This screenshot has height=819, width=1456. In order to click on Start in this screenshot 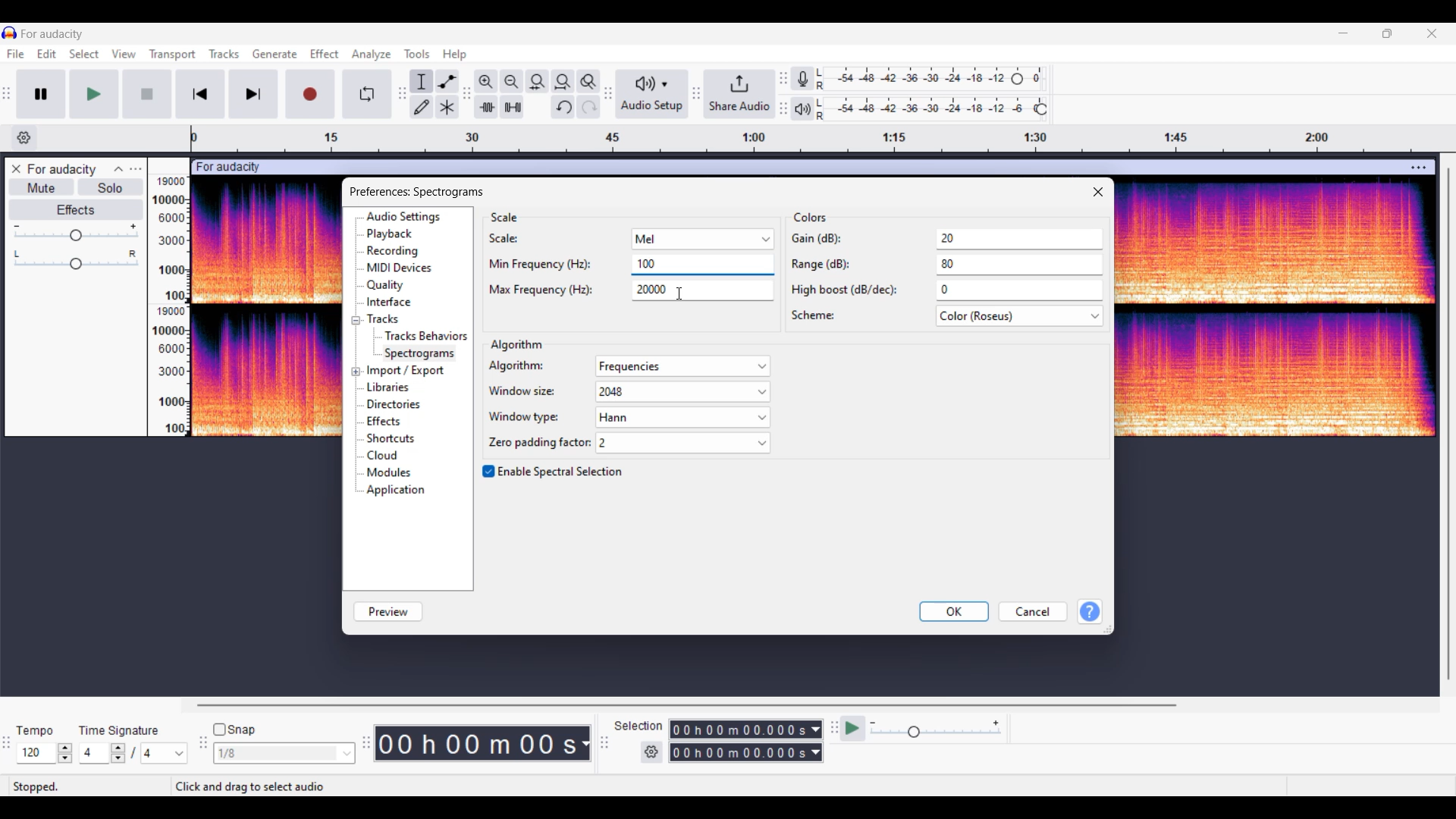, I will do `click(148, 94)`.